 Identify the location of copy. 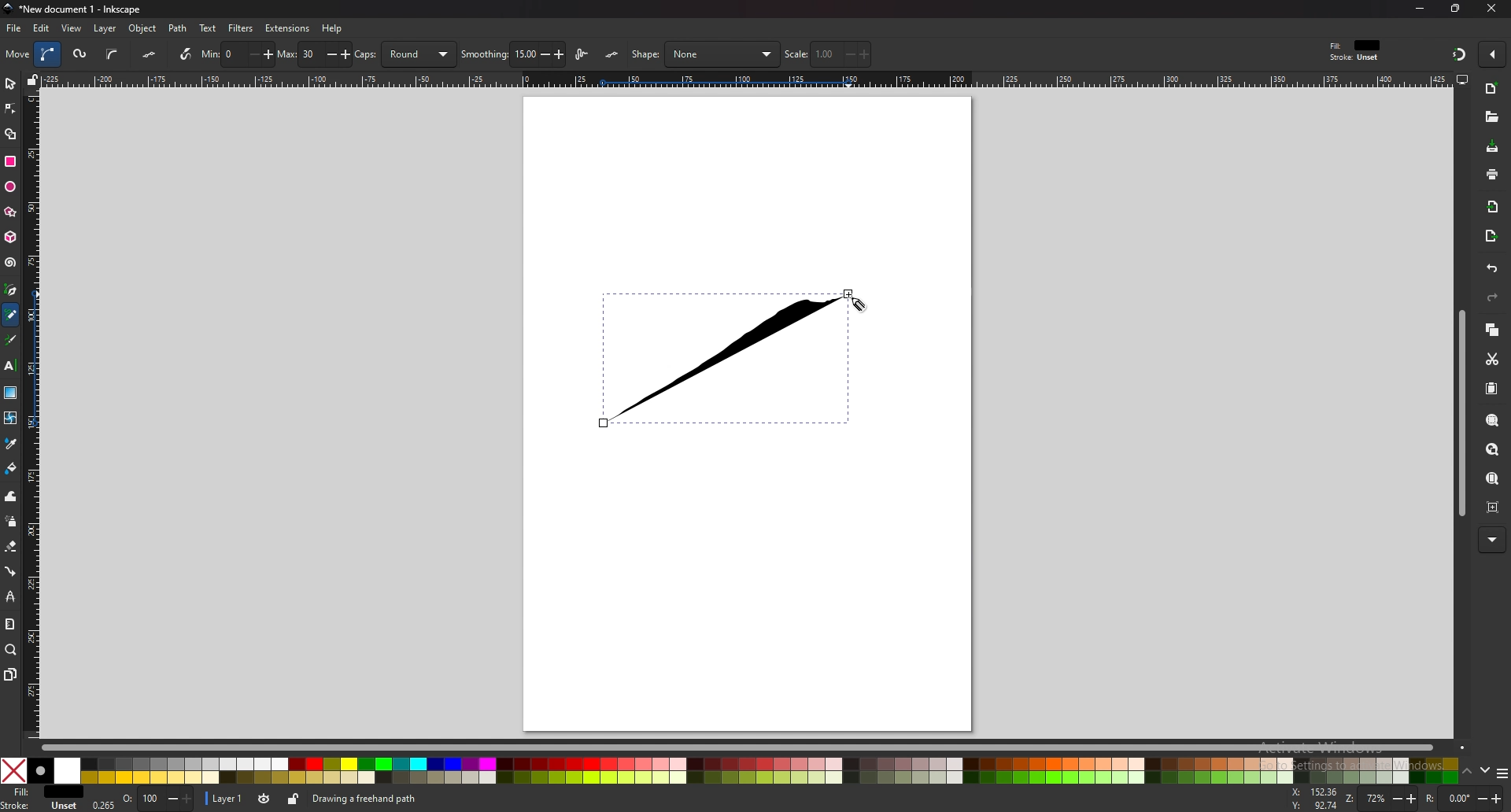
(1491, 330).